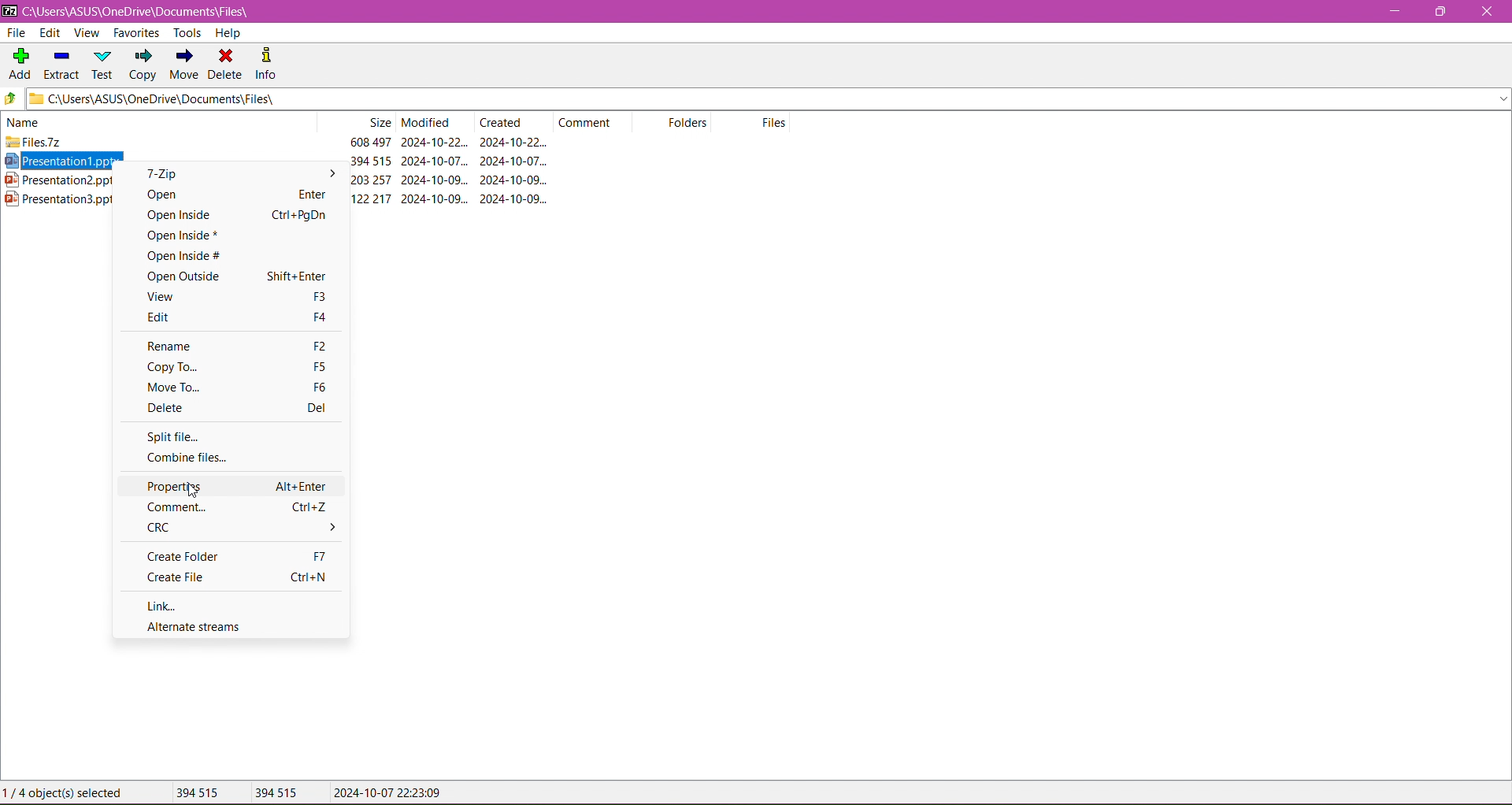 Image resolution: width=1512 pixels, height=805 pixels. What do you see at coordinates (514, 198) in the screenshot?
I see `2024-10-09` at bounding box center [514, 198].